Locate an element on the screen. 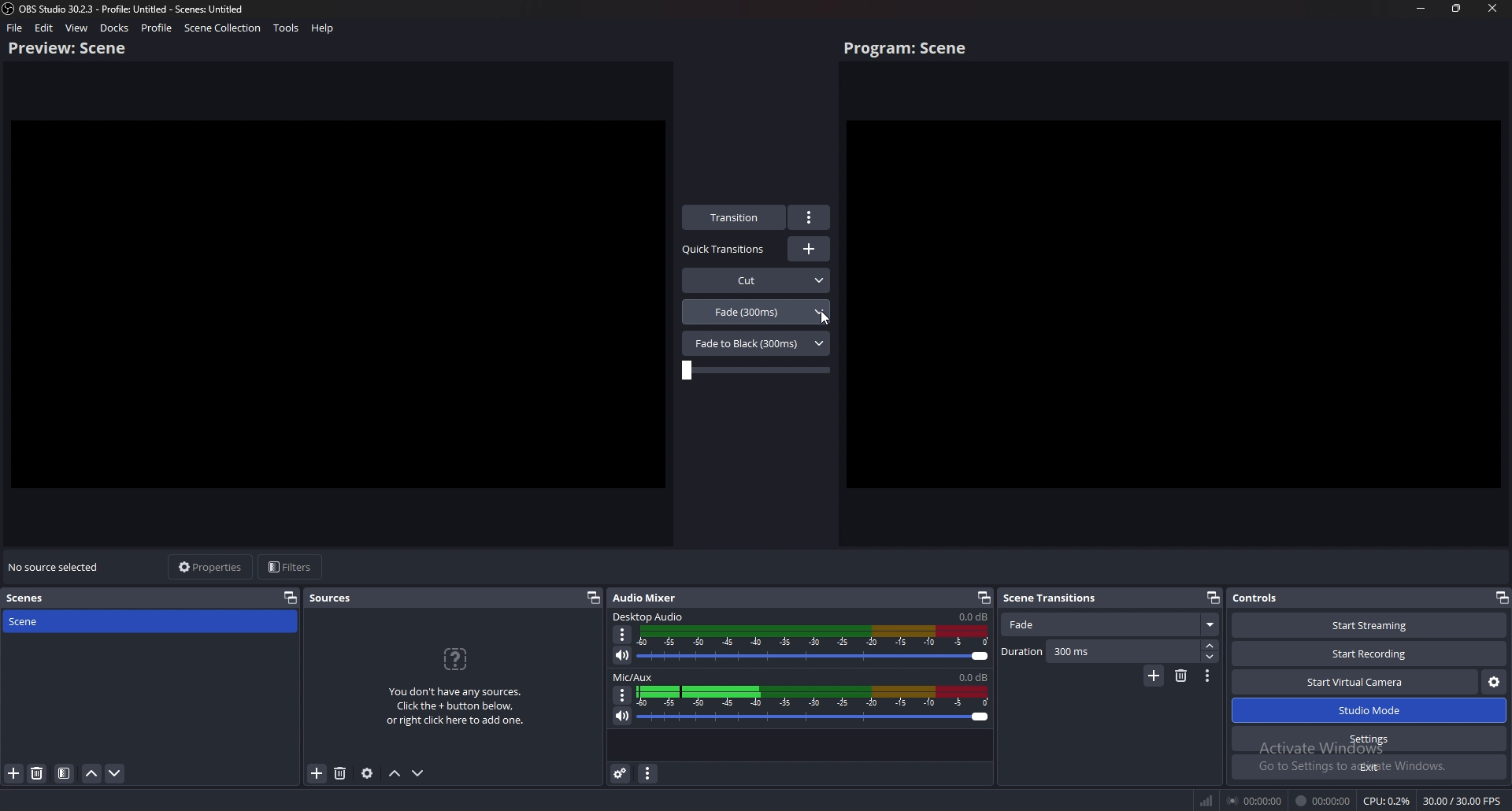  filters is located at coordinates (292, 568).